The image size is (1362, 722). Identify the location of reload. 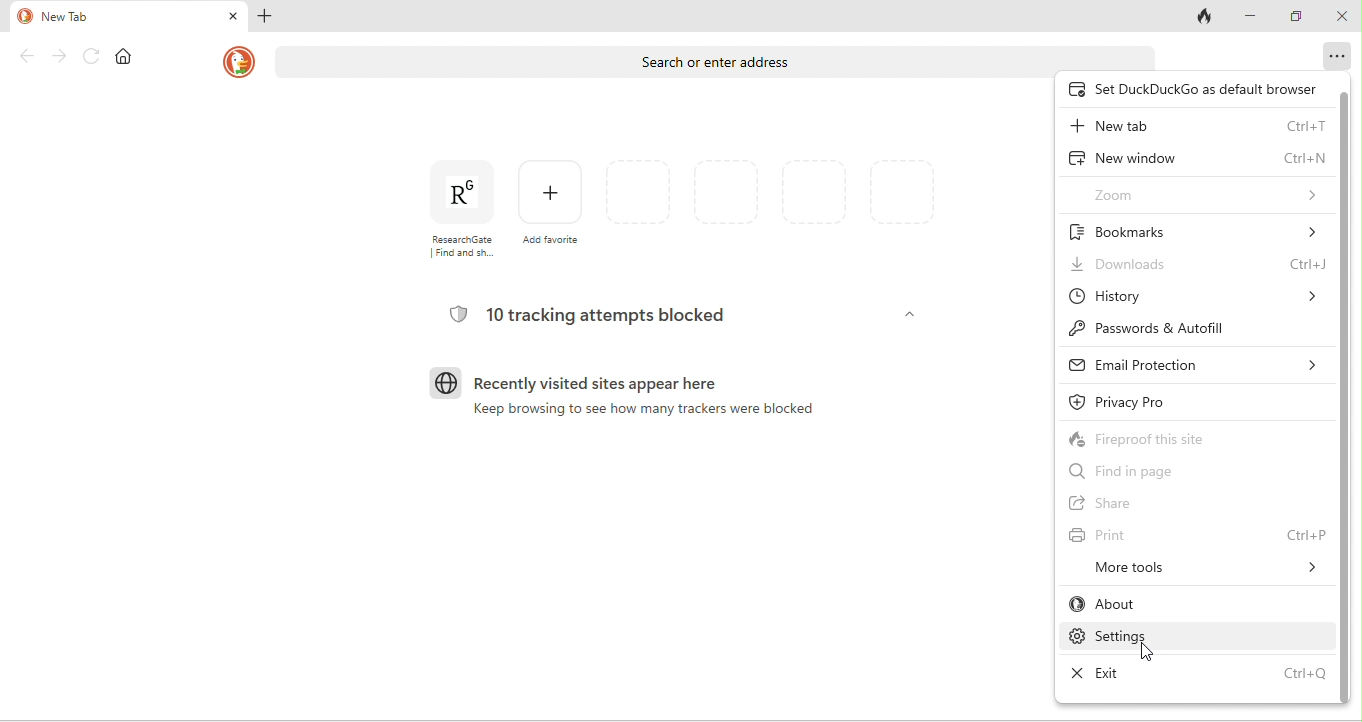
(90, 55).